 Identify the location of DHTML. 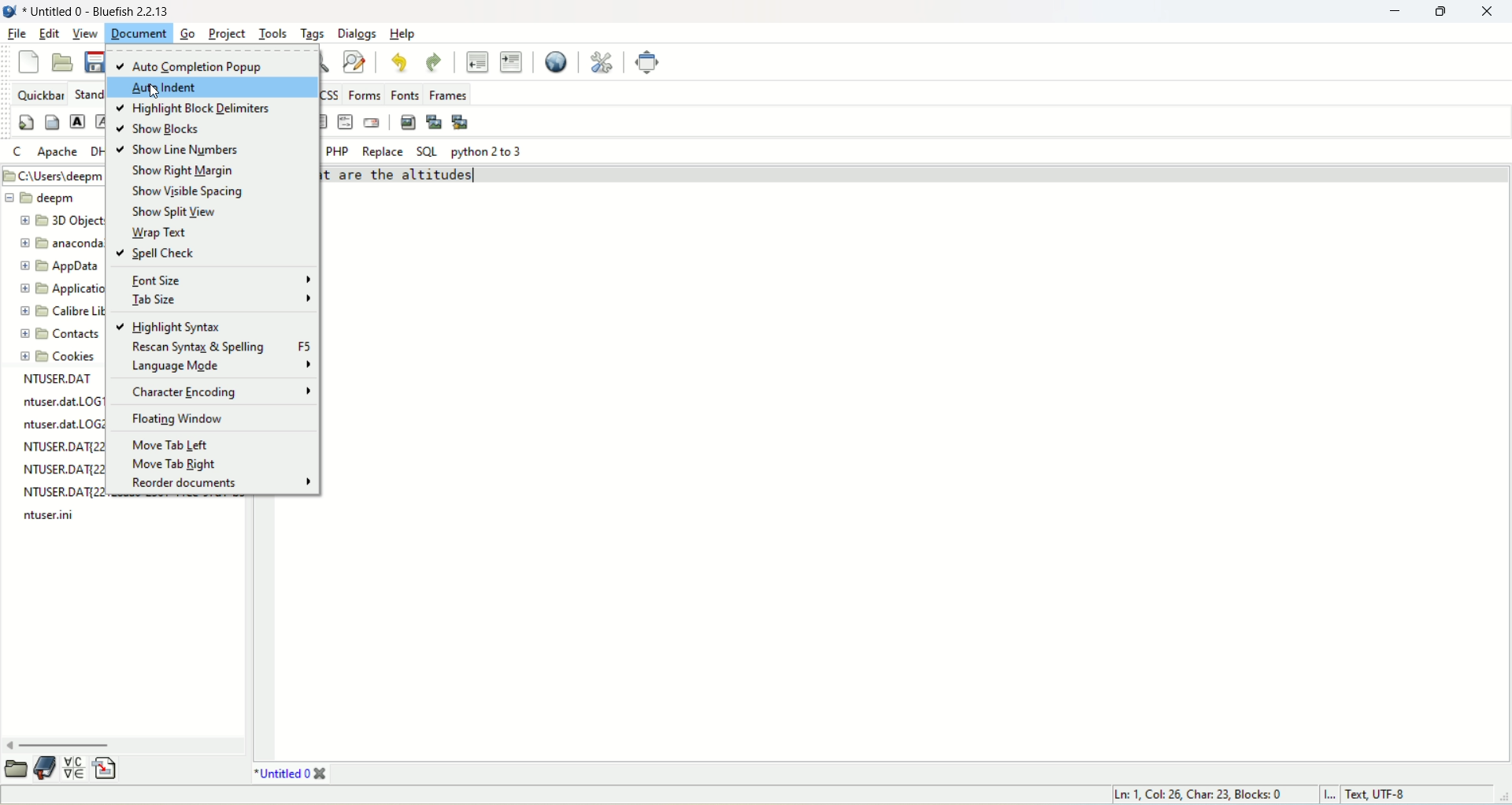
(94, 150).